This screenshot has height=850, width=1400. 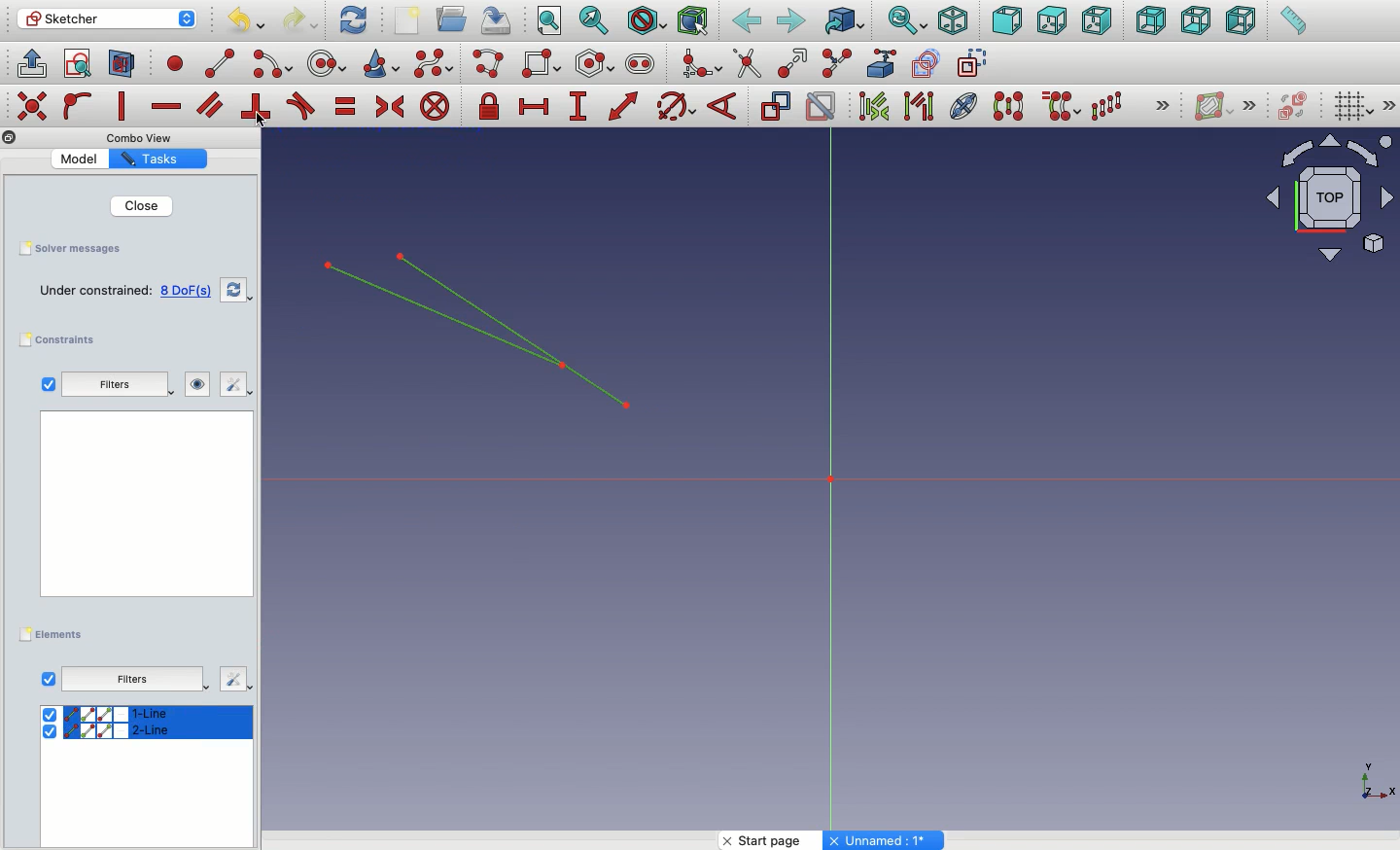 What do you see at coordinates (695, 22) in the screenshot?
I see `Bounding box` at bounding box center [695, 22].